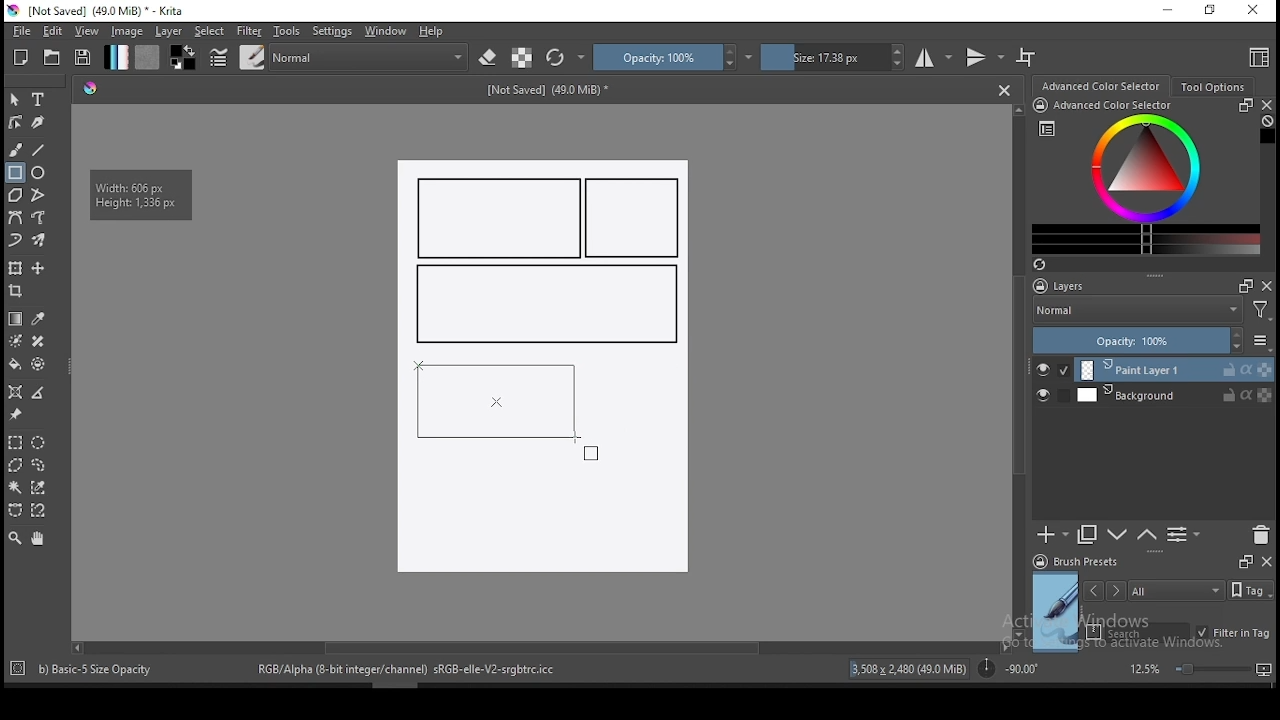 The image size is (1280, 720). I want to click on layer visibility on/off, so click(1048, 397).